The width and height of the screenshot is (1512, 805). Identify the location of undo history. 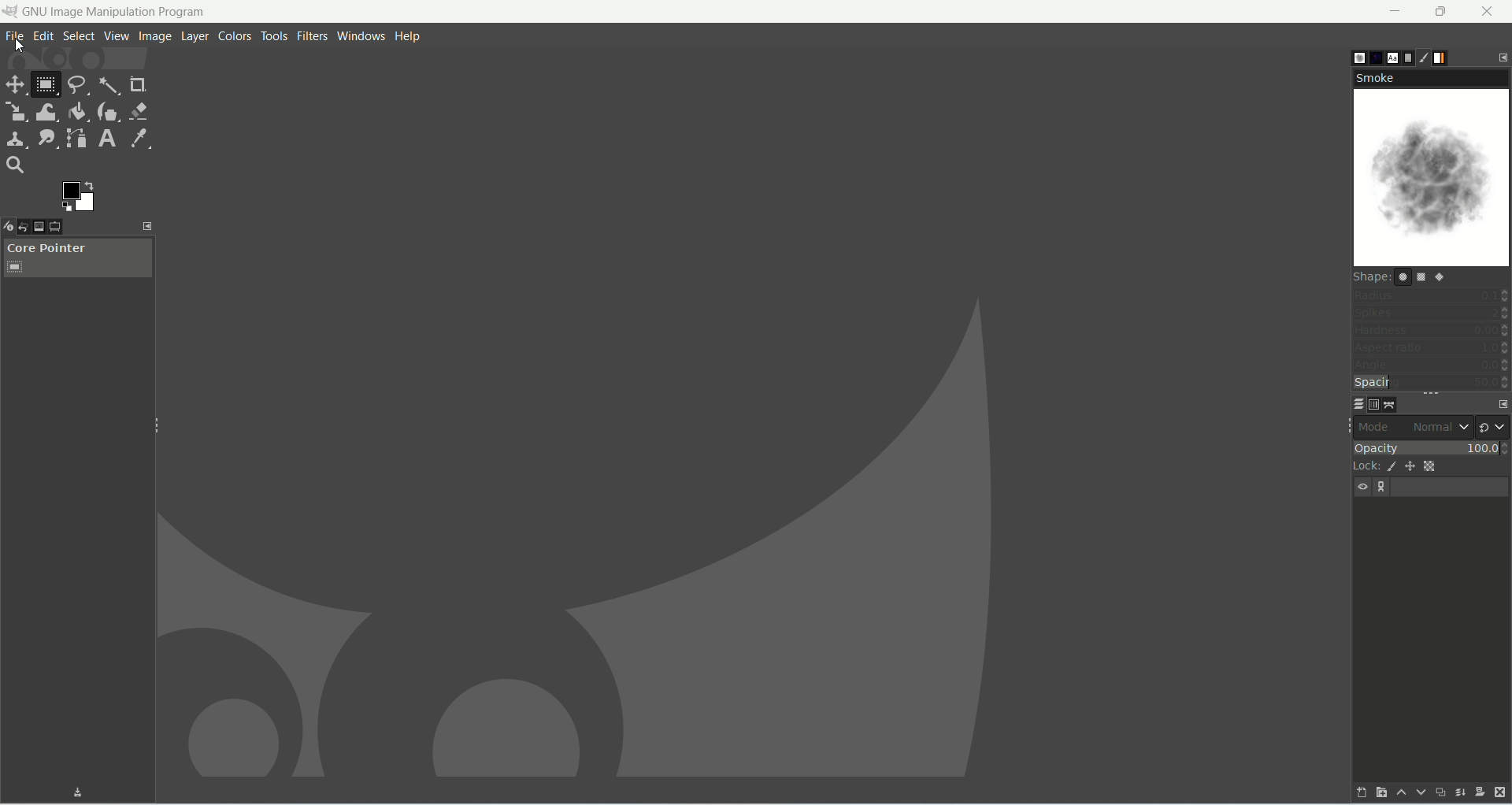
(24, 227).